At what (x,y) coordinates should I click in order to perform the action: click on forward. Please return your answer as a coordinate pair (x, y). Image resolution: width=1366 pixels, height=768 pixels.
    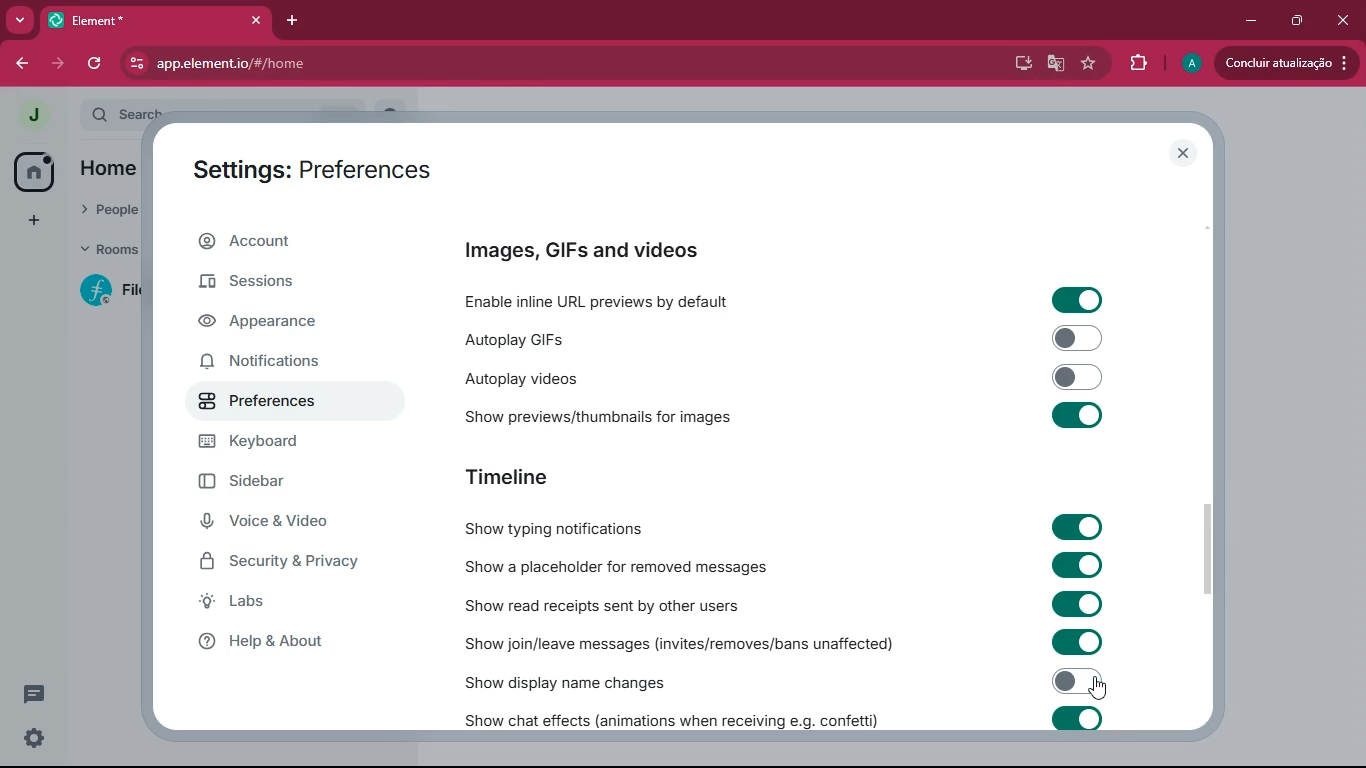
    Looking at the image, I should click on (58, 65).